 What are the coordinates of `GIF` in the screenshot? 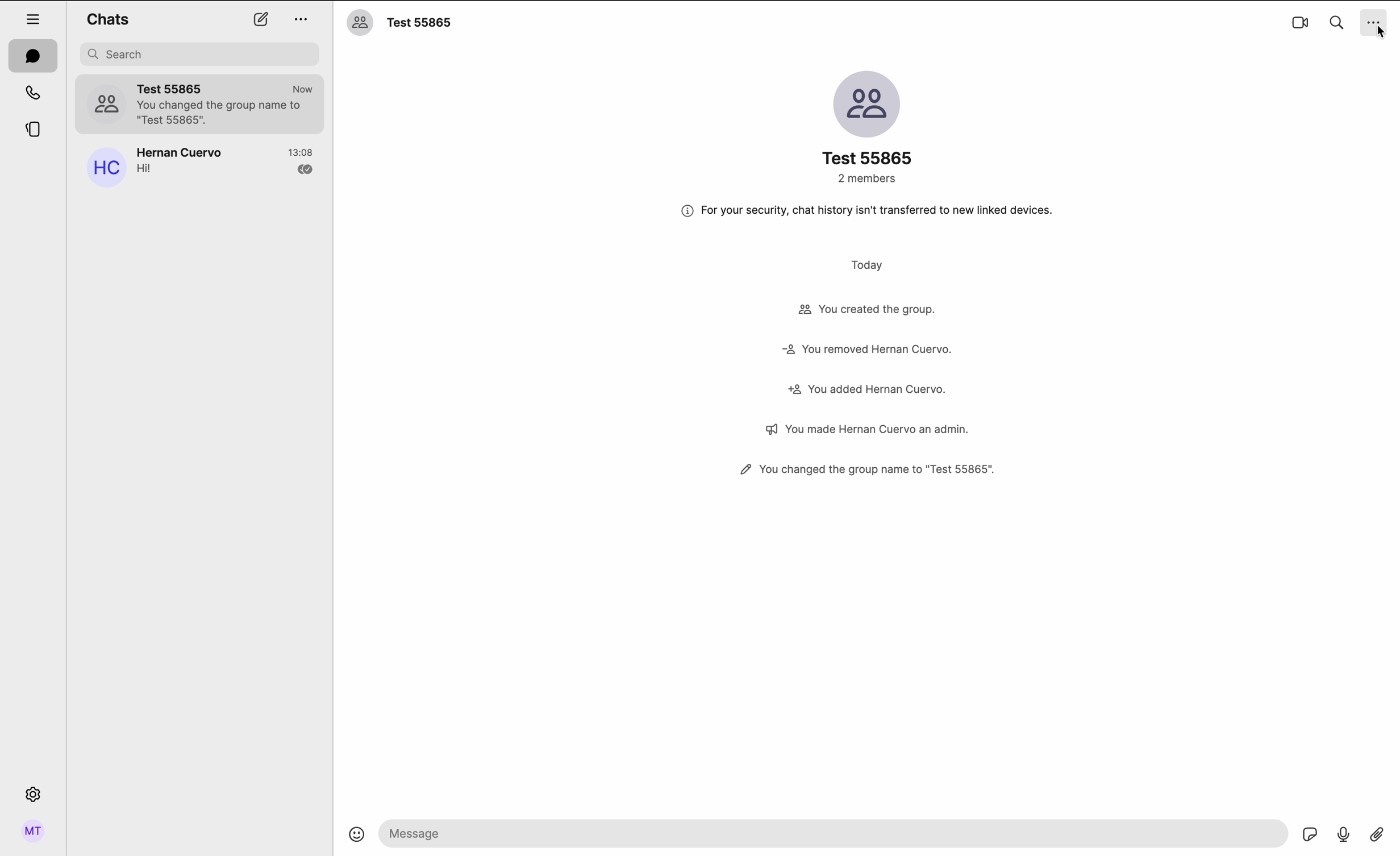 It's located at (1311, 835).